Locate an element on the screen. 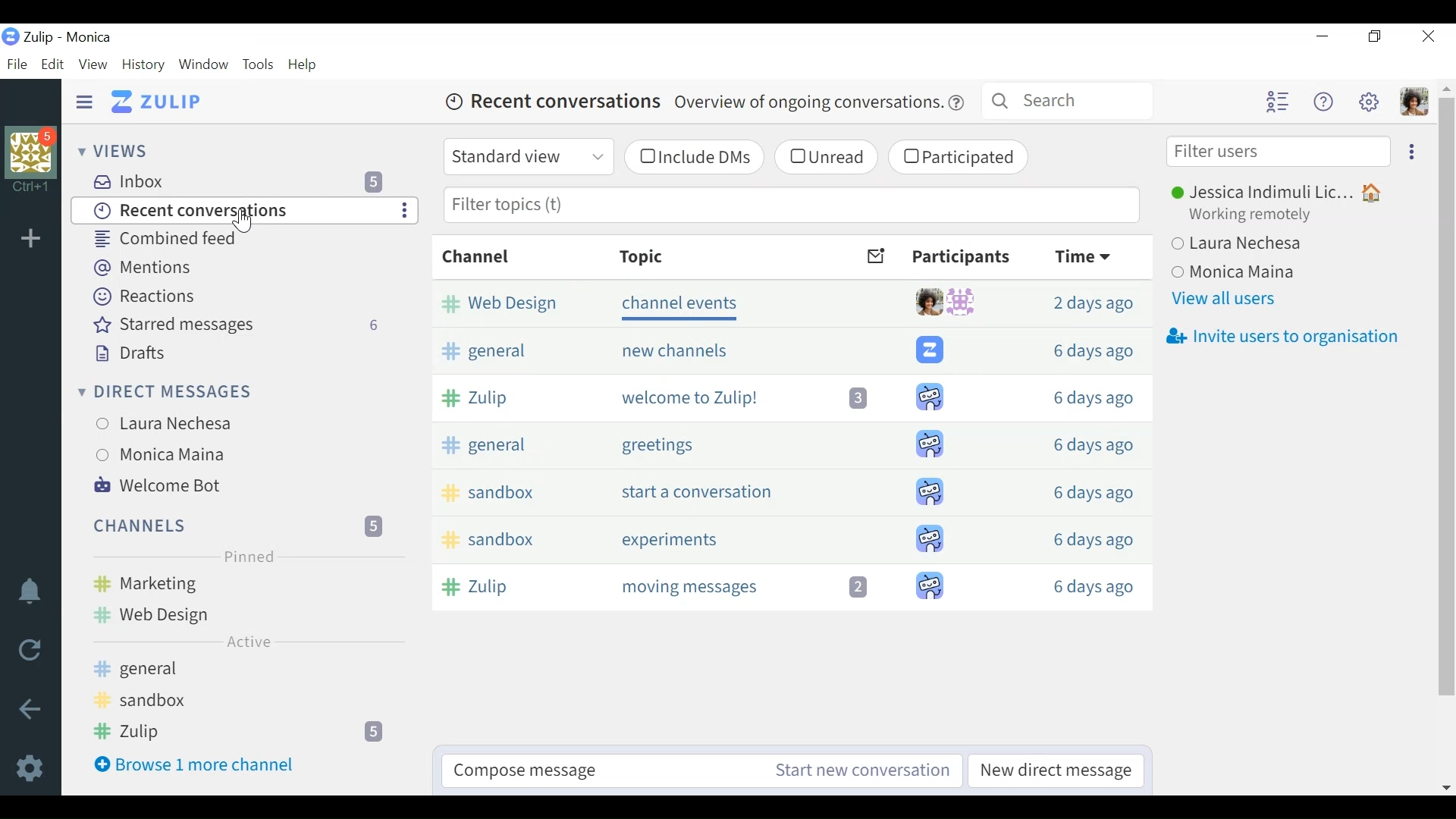 The height and width of the screenshot is (819, 1456). help is located at coordinates (957, 104).